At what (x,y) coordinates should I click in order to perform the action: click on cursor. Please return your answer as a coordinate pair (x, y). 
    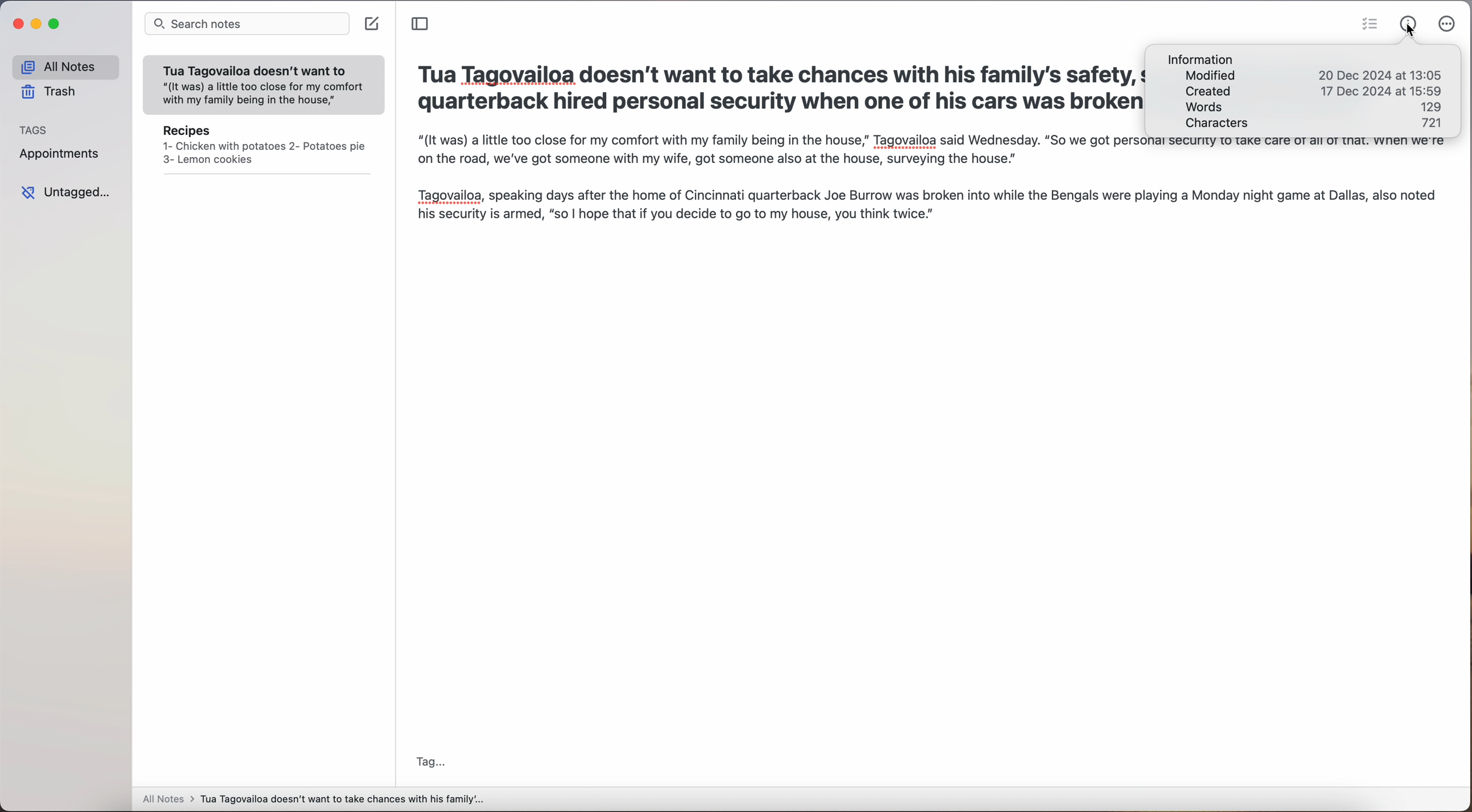
    Looking at the image, I should click on (1409, 33).